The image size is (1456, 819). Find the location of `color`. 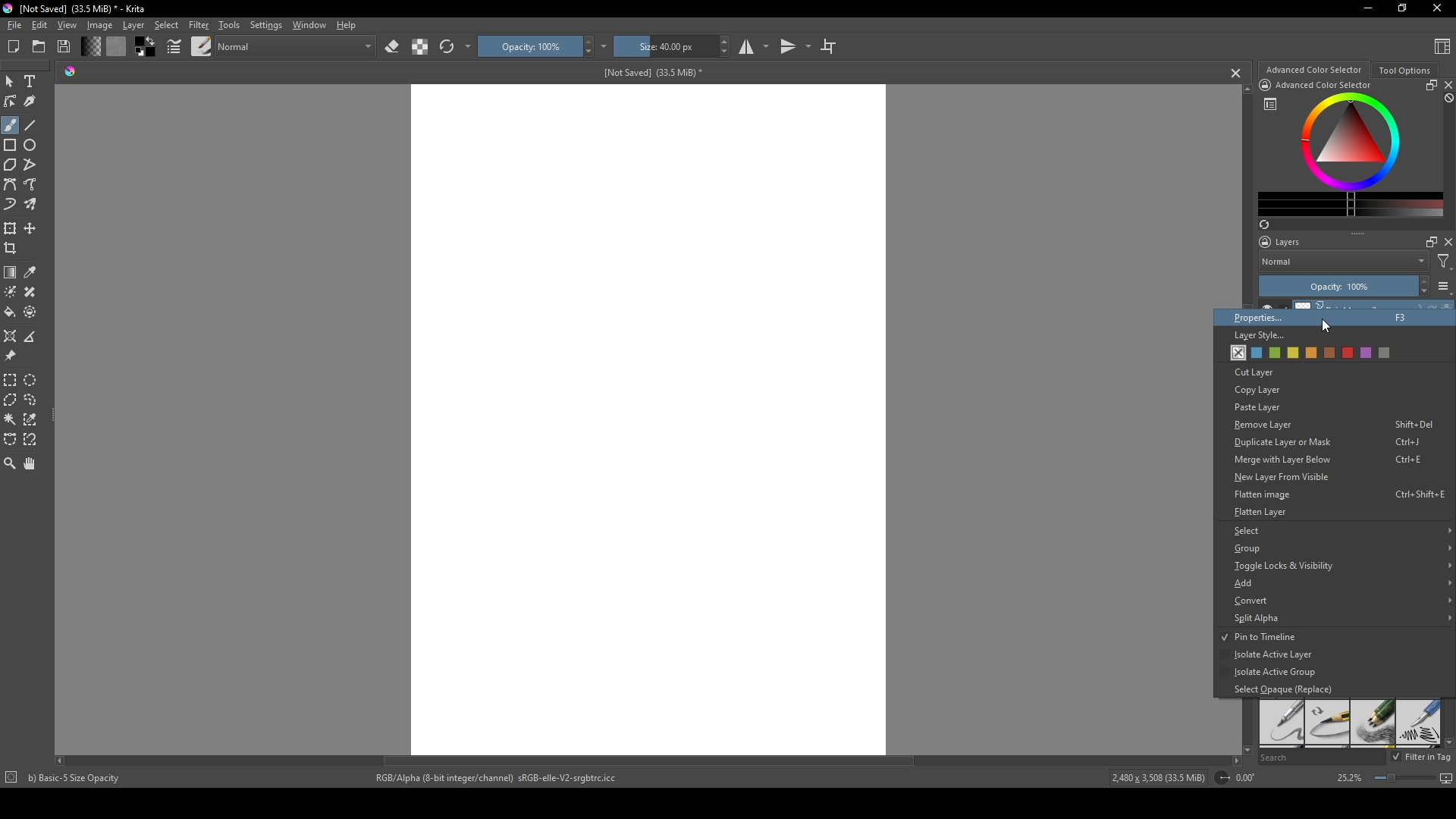

color is located at coordinates (143, 47).